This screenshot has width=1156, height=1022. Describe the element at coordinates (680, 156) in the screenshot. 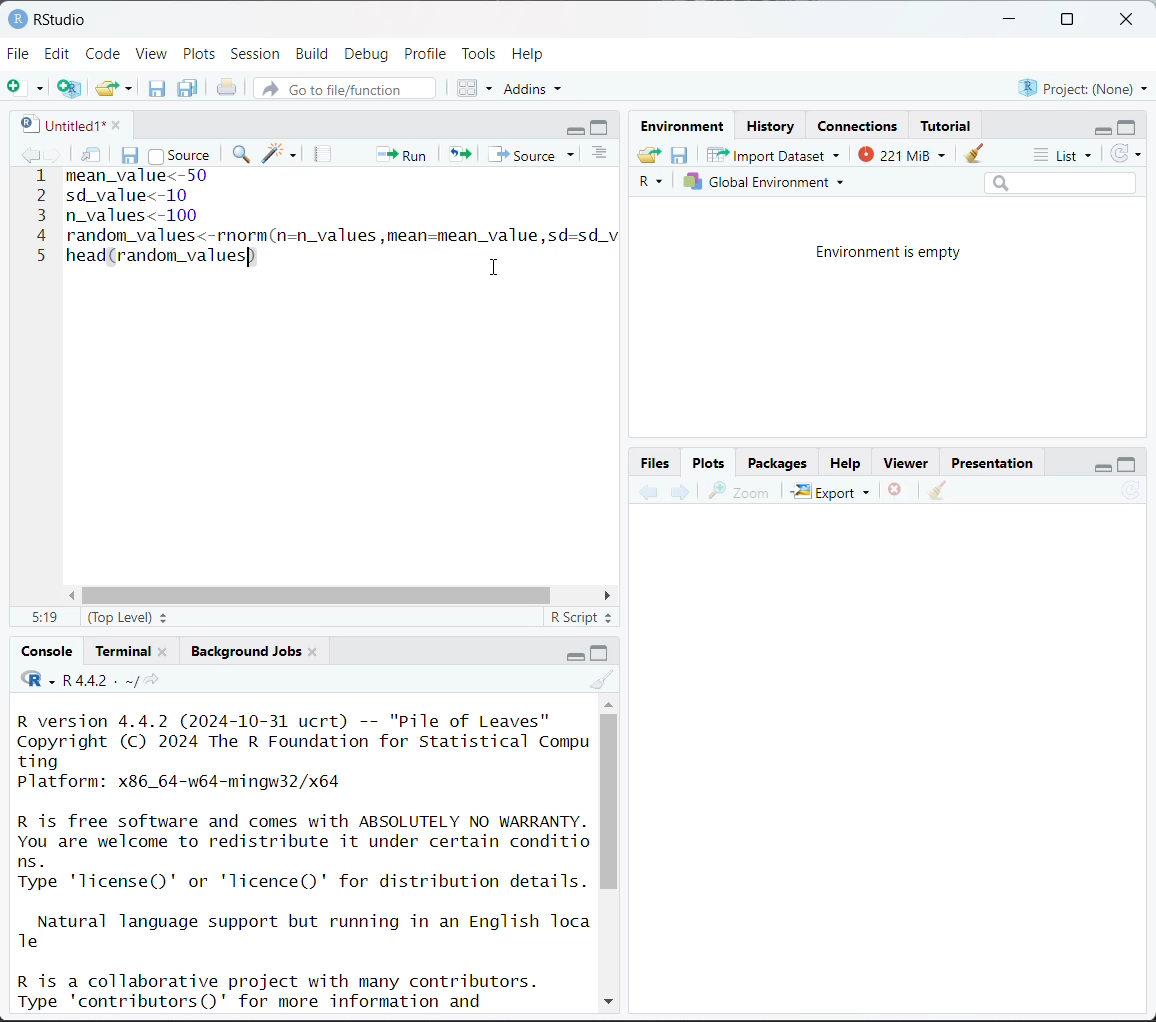

I see `save workspace as` at that location.